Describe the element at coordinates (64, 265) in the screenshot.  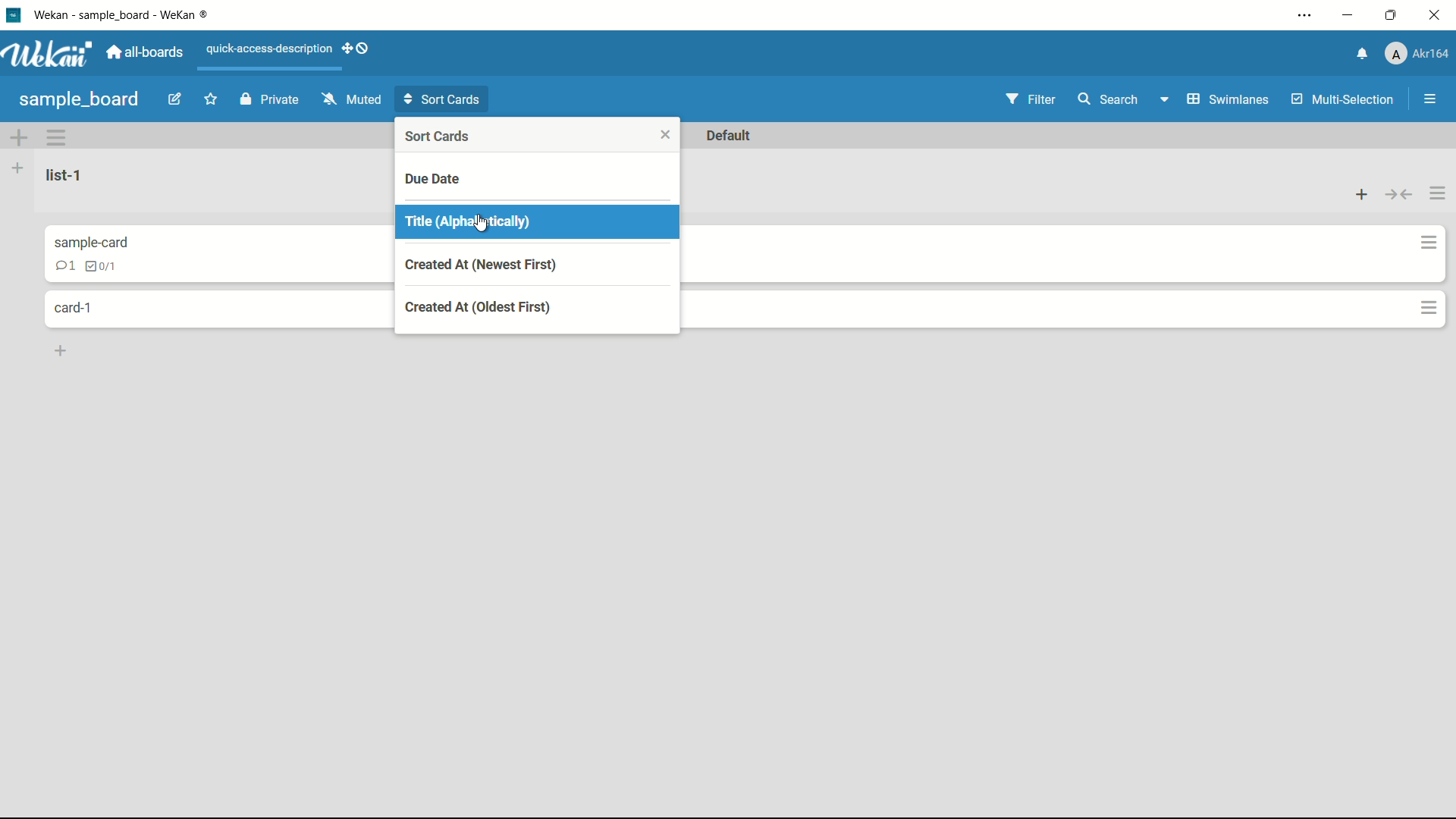
I see `comments` at that location.